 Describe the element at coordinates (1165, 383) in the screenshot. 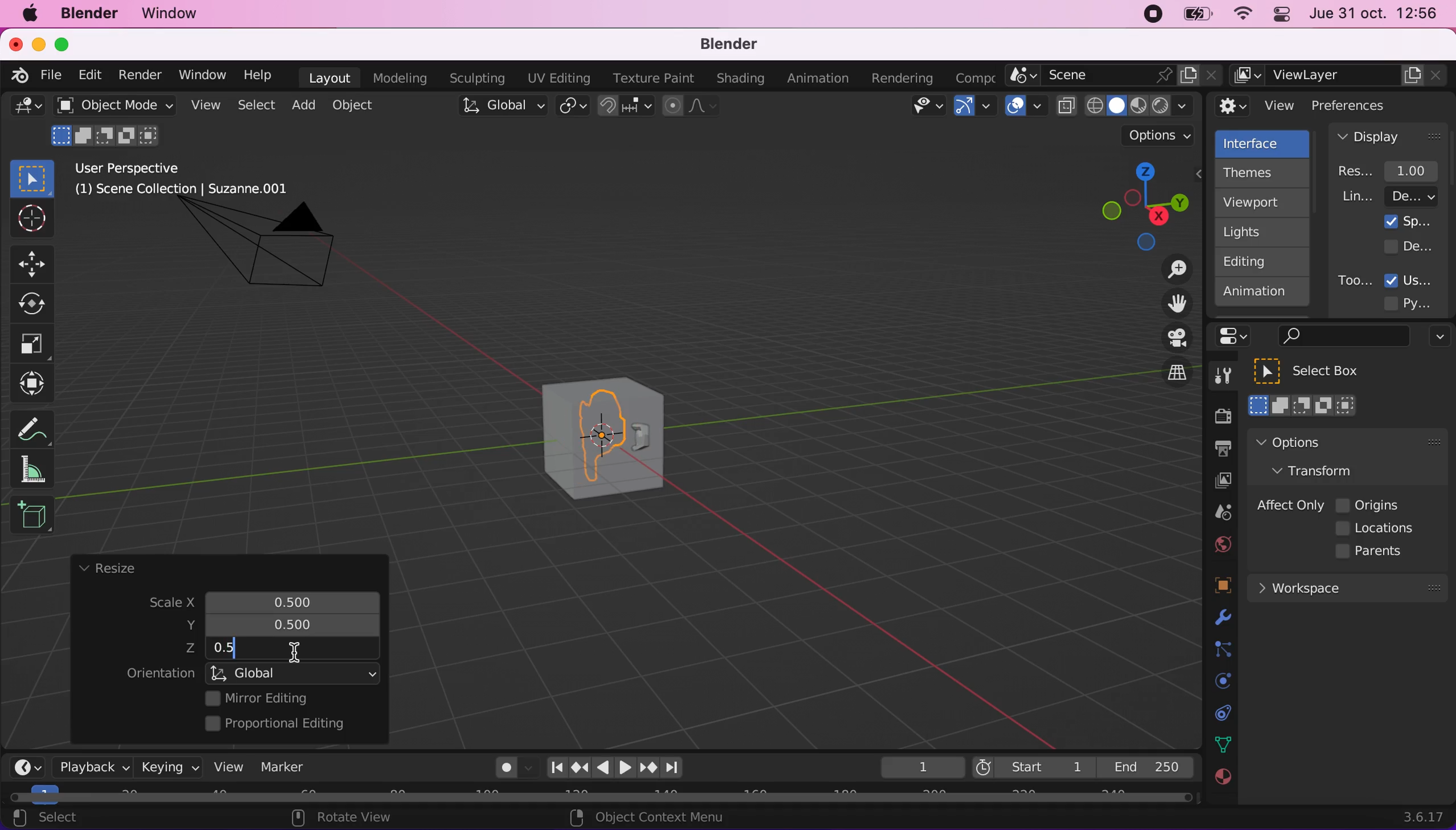

I see `switch the current view` at that location.